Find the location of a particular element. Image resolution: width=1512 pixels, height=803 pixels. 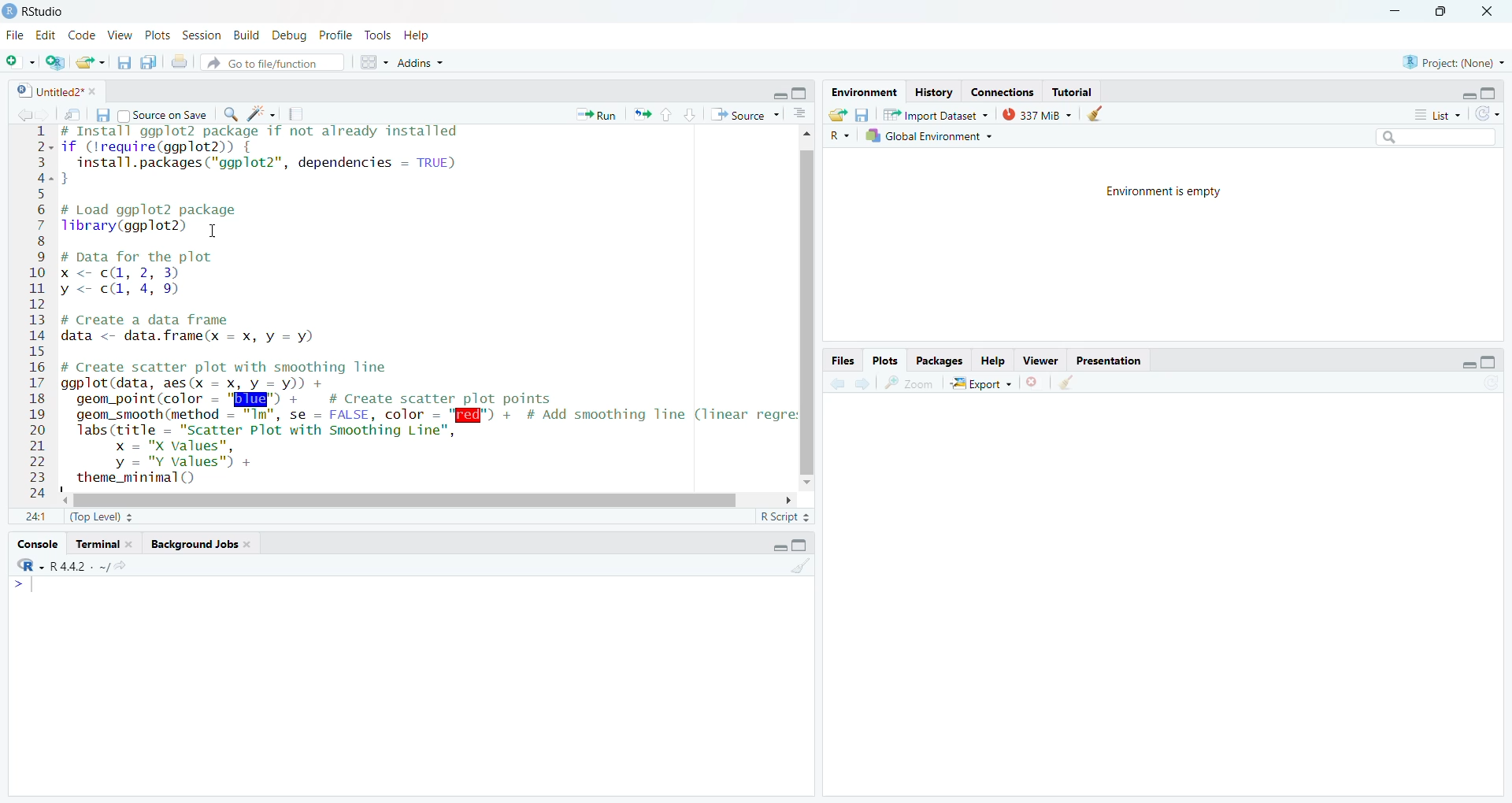

Viewer is located at coordinates (1040, 360).